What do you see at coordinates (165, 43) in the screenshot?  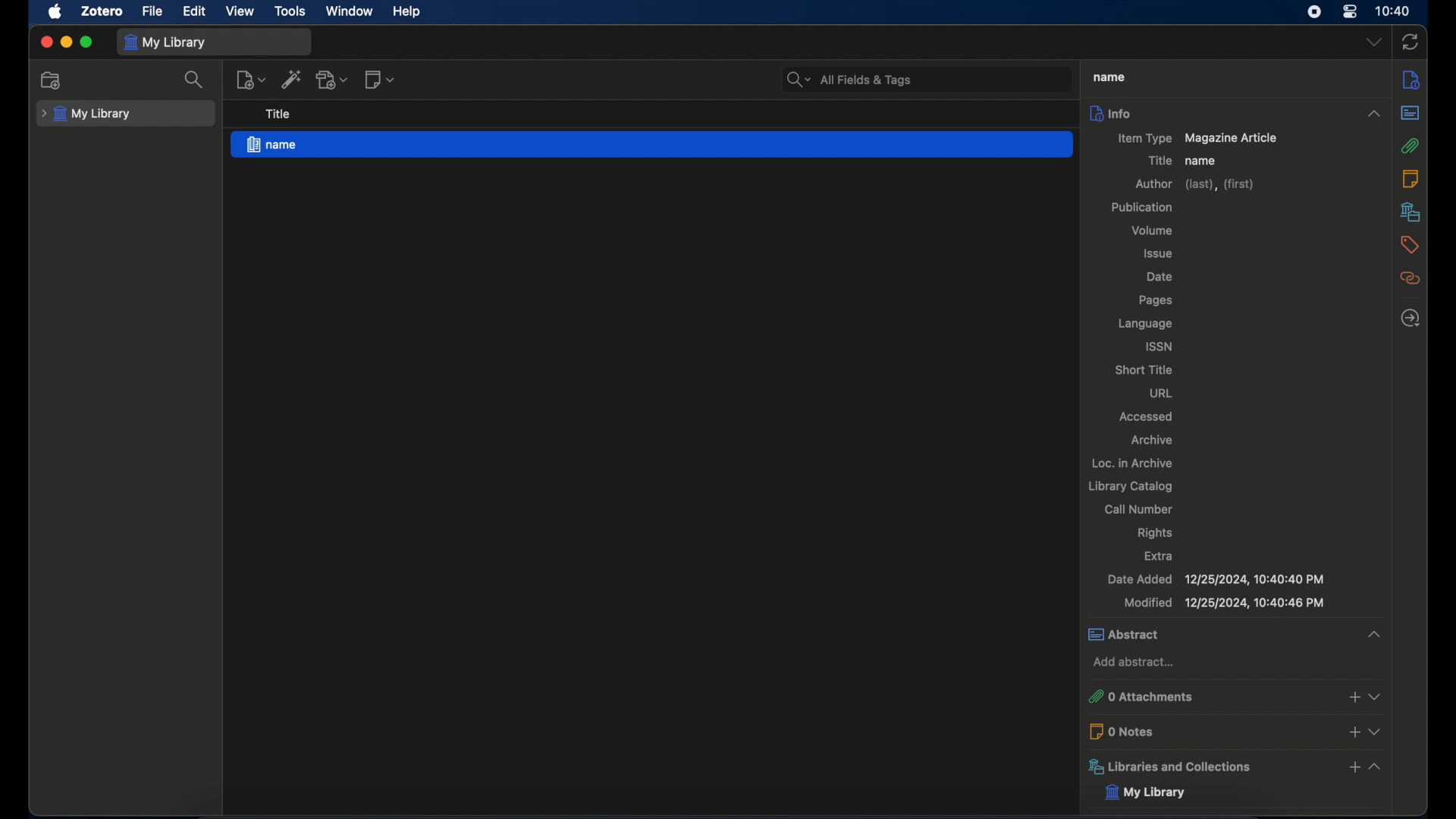 I see `my library` at bounding box center [165, 43].